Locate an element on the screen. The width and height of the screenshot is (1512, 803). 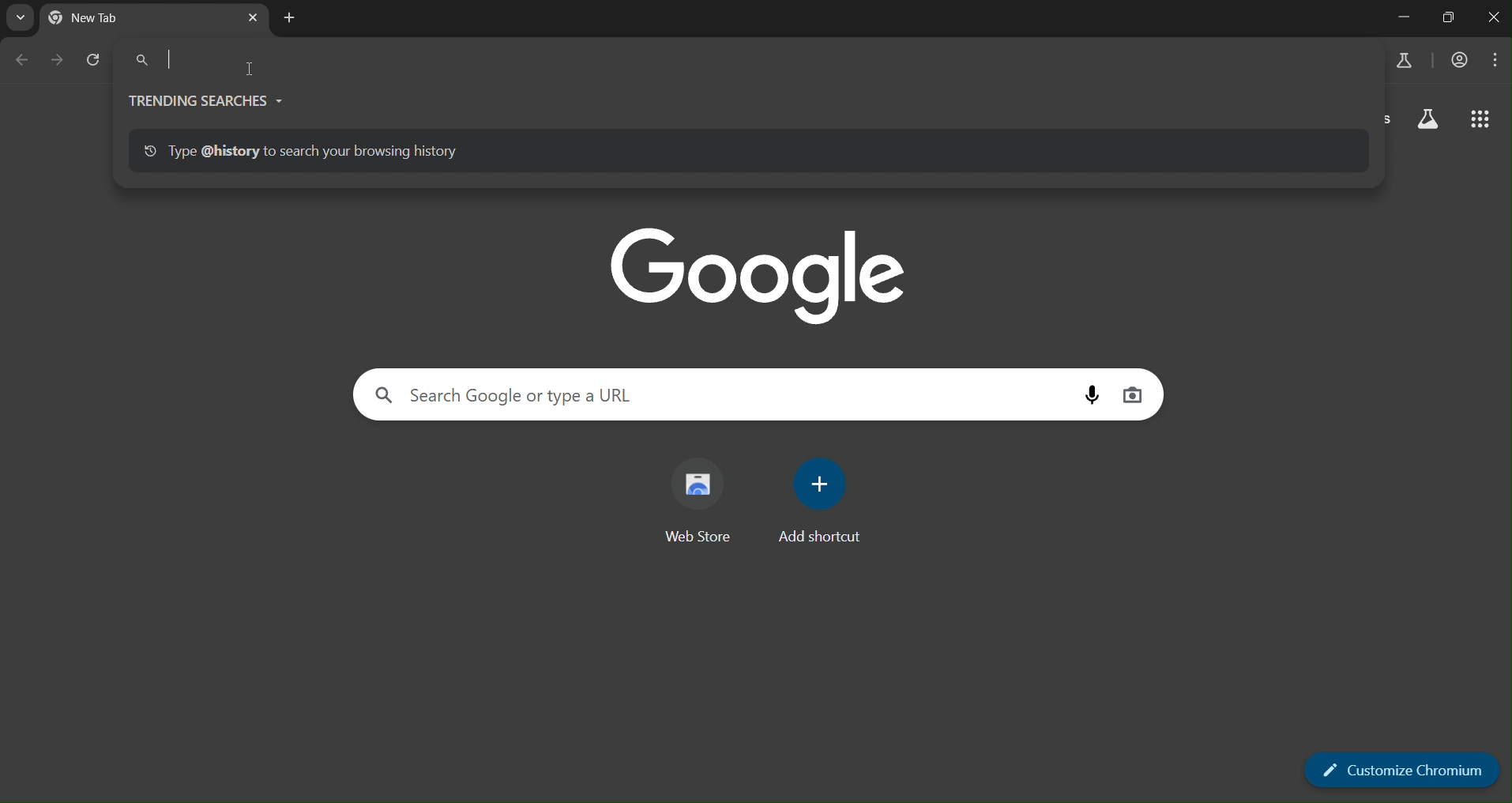
image search is located at coordinates (1133, 395).